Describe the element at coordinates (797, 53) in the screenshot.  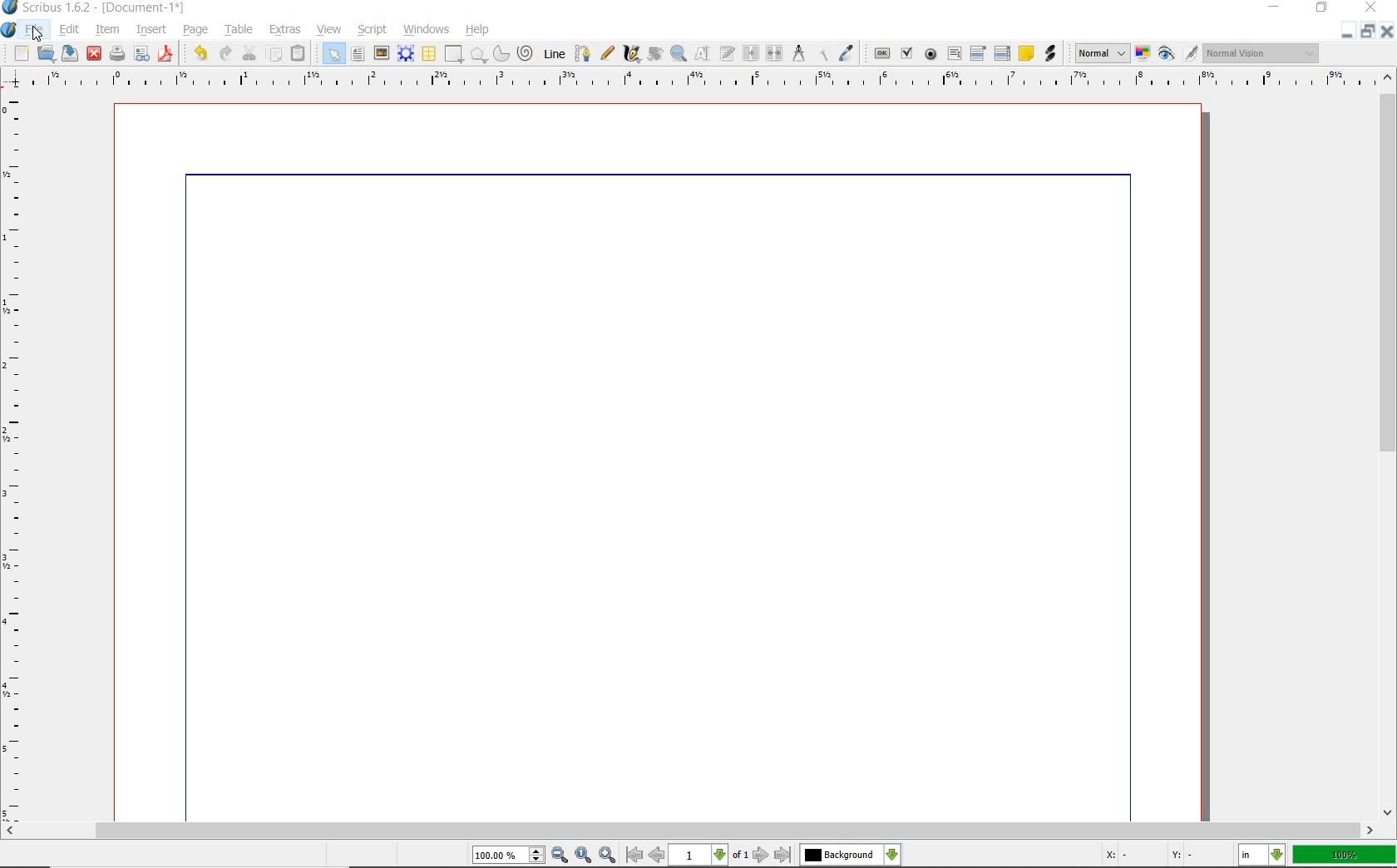
I see `measurements` at that location.